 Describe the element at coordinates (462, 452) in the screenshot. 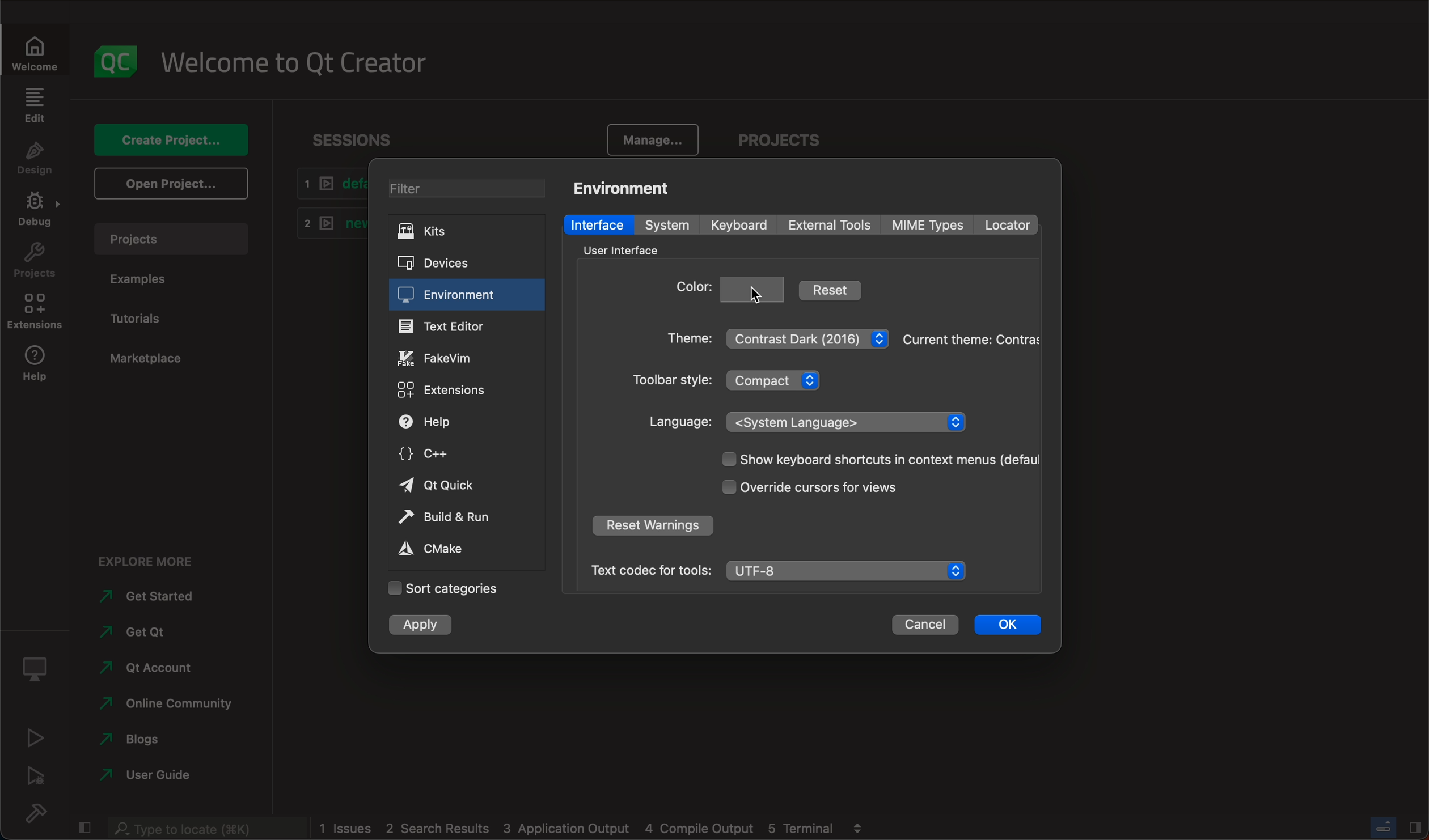

I see `C++` at that location.